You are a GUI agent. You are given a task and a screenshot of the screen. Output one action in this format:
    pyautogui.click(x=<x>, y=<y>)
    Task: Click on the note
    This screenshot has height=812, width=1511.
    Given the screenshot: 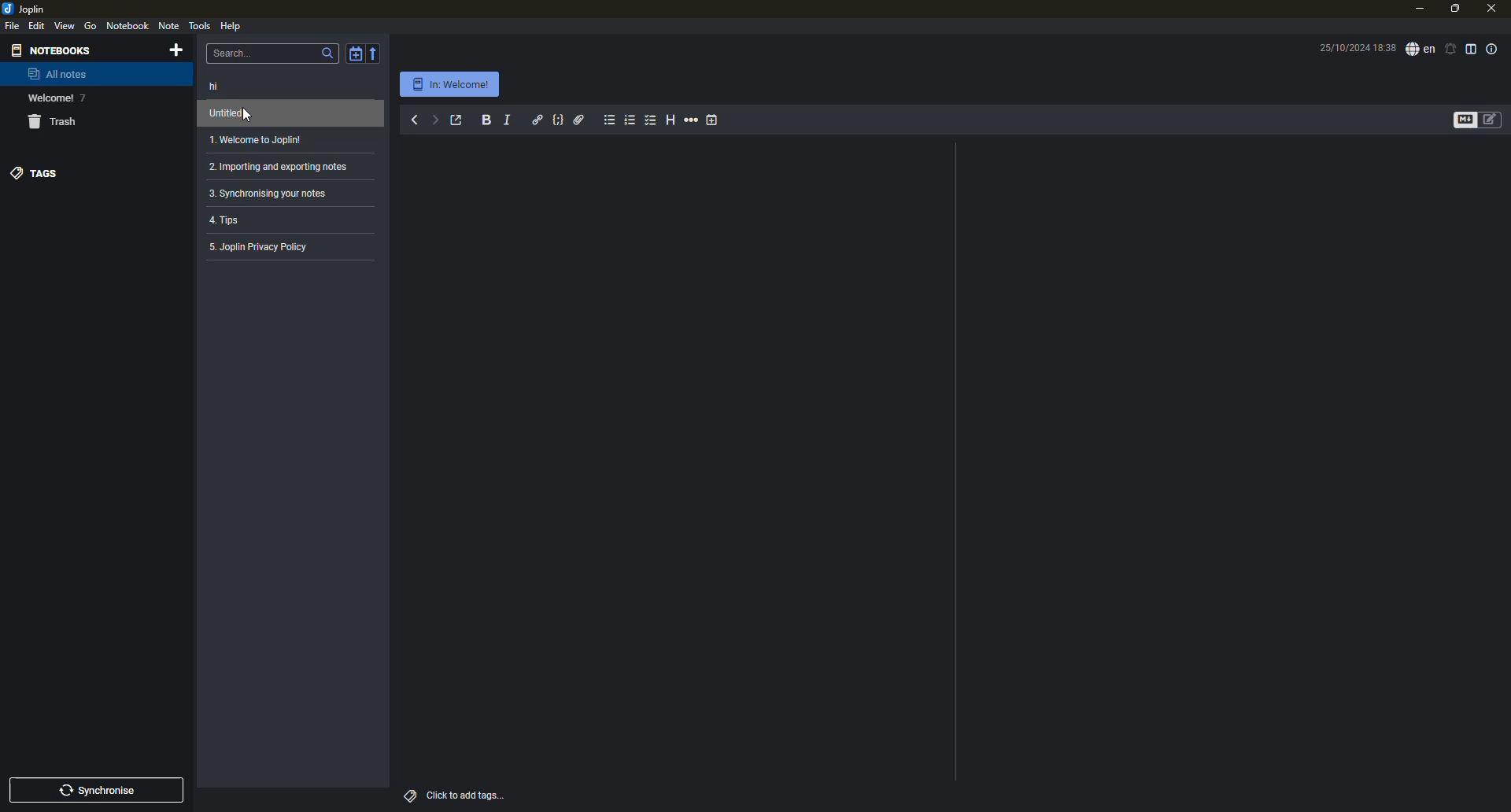 What is the action you would take?
    pyautogui.click(x=169, y=25)
    